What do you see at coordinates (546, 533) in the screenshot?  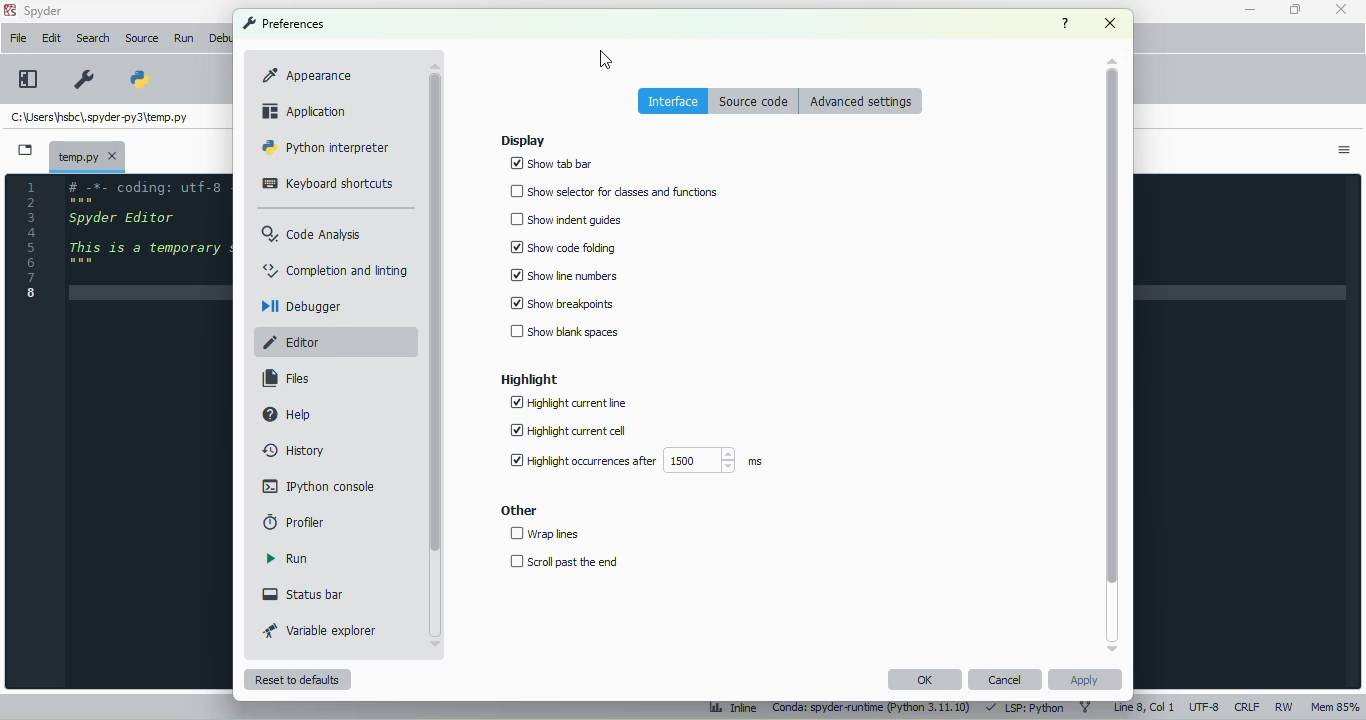 I see `wrap lines` at bounding box center [546, 533].